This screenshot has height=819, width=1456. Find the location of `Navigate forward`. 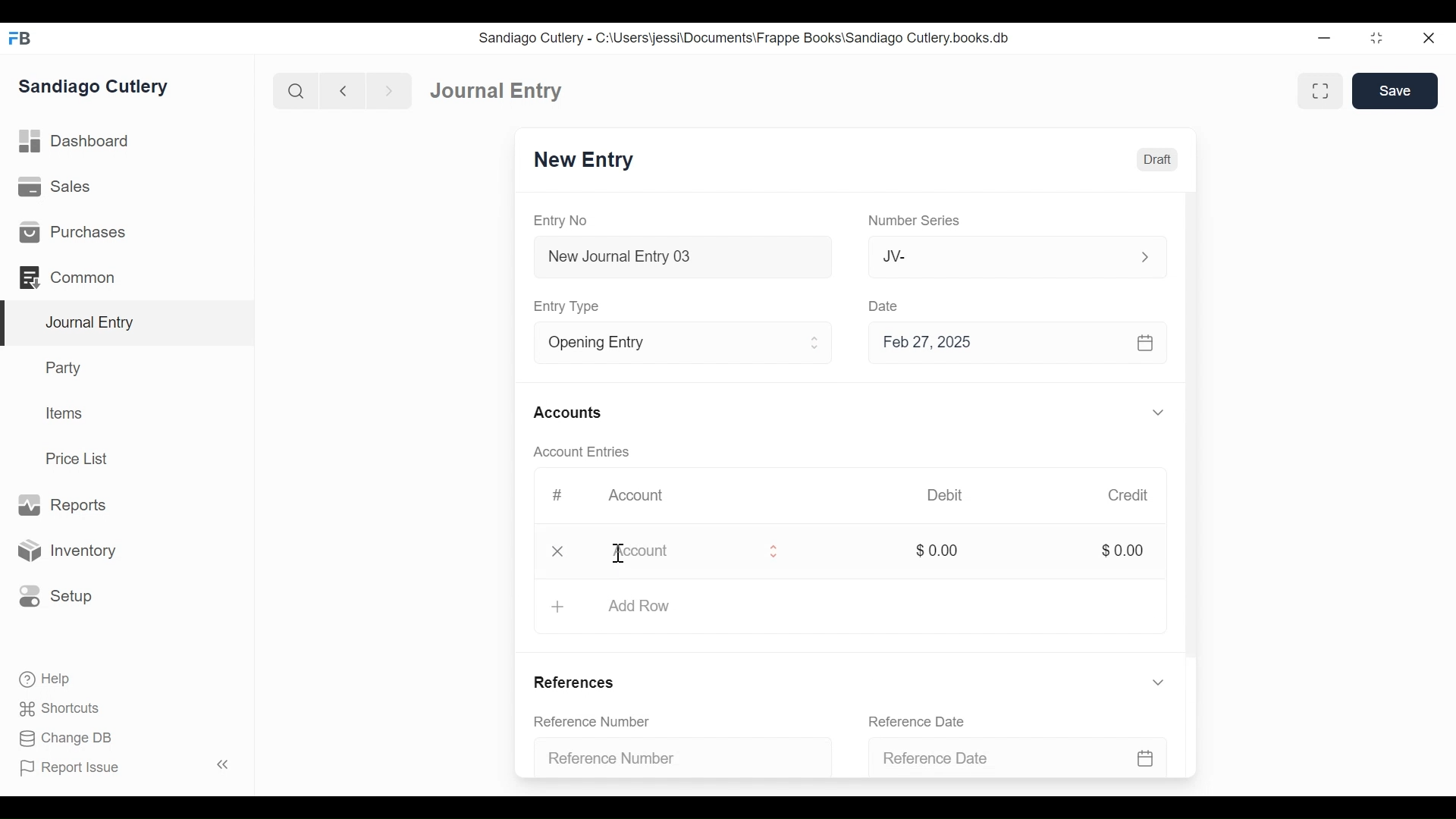

Navigate forward is located at coordinates (388, 91).